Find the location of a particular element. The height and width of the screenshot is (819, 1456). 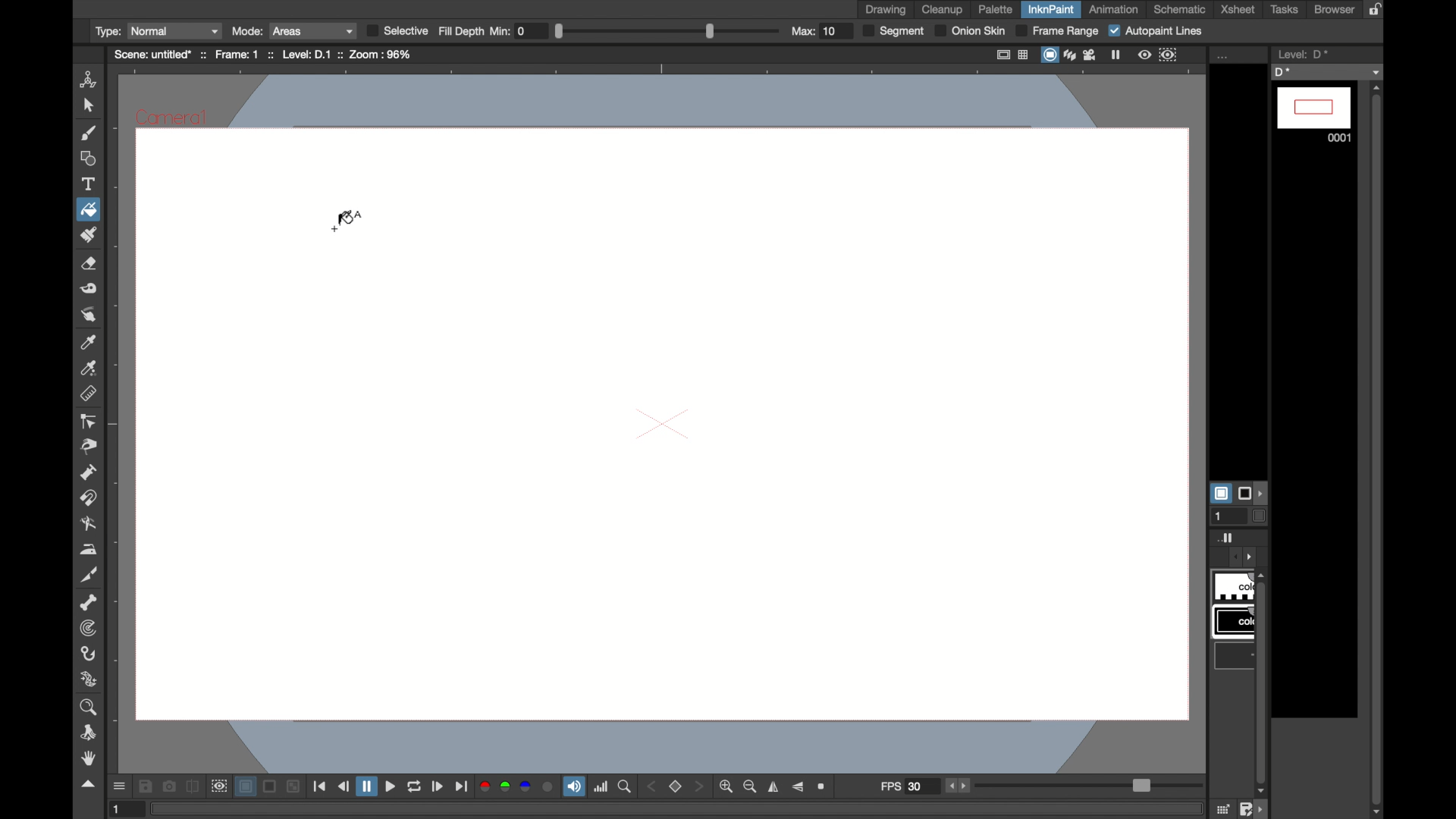

play is located at coordinates (393, 786).